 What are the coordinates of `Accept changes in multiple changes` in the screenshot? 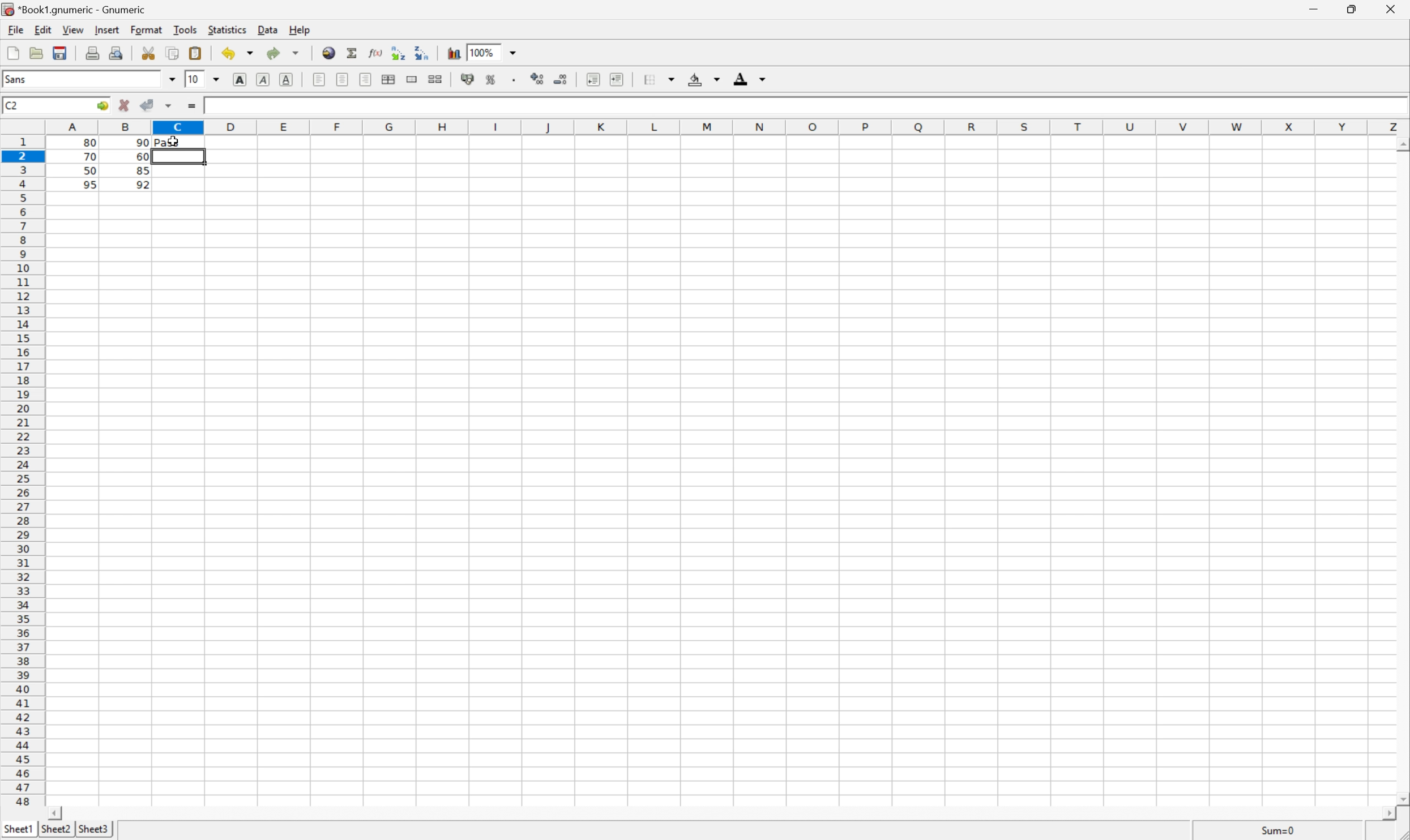 It's located at (170, 106).